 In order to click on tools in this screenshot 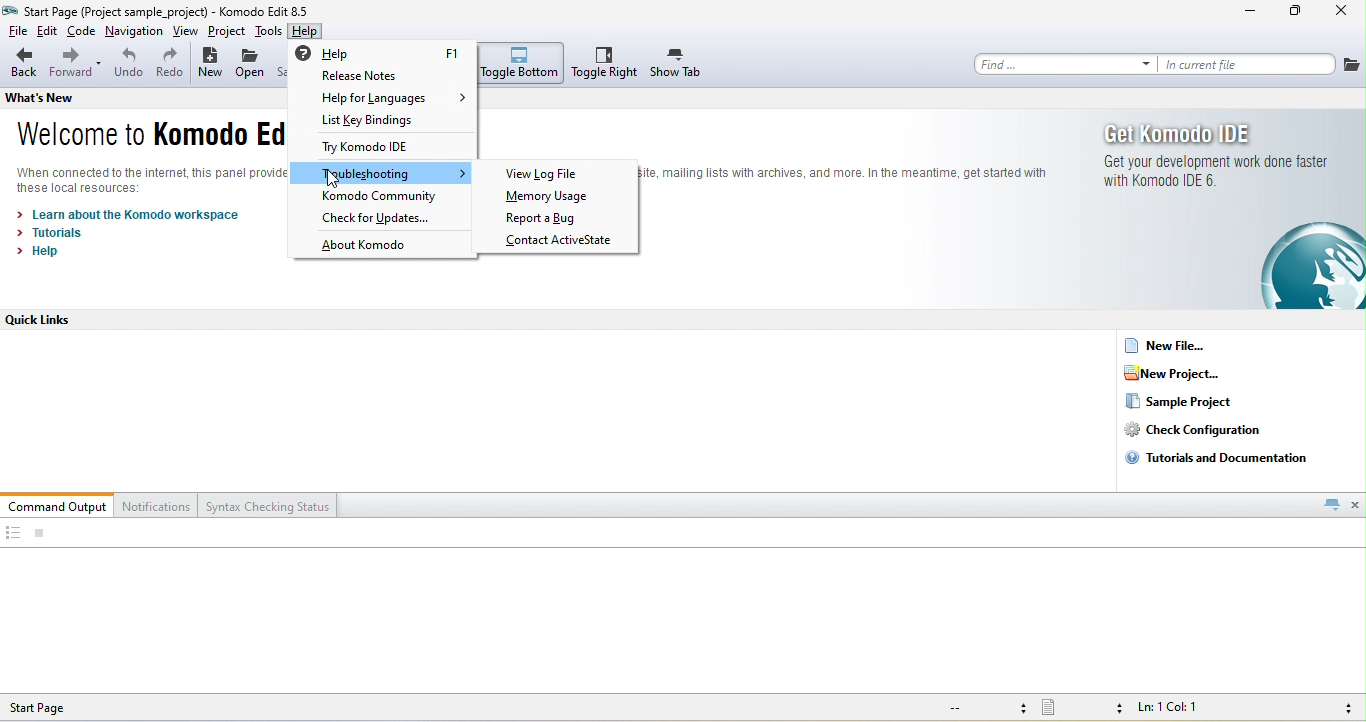, I will do `click(268, 31)`.